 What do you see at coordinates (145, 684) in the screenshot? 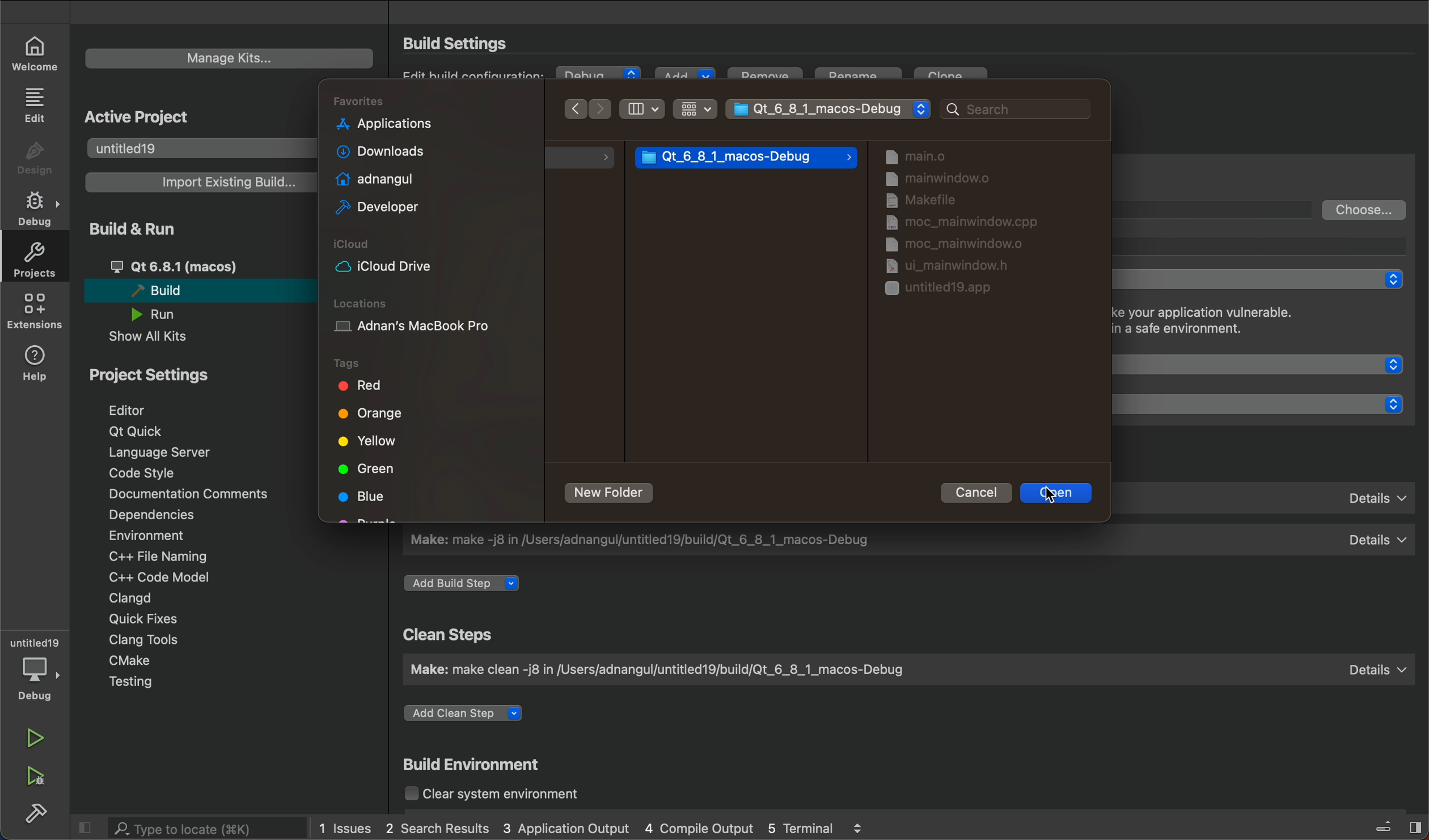
I see `testing` at bounding box center [145, 684].